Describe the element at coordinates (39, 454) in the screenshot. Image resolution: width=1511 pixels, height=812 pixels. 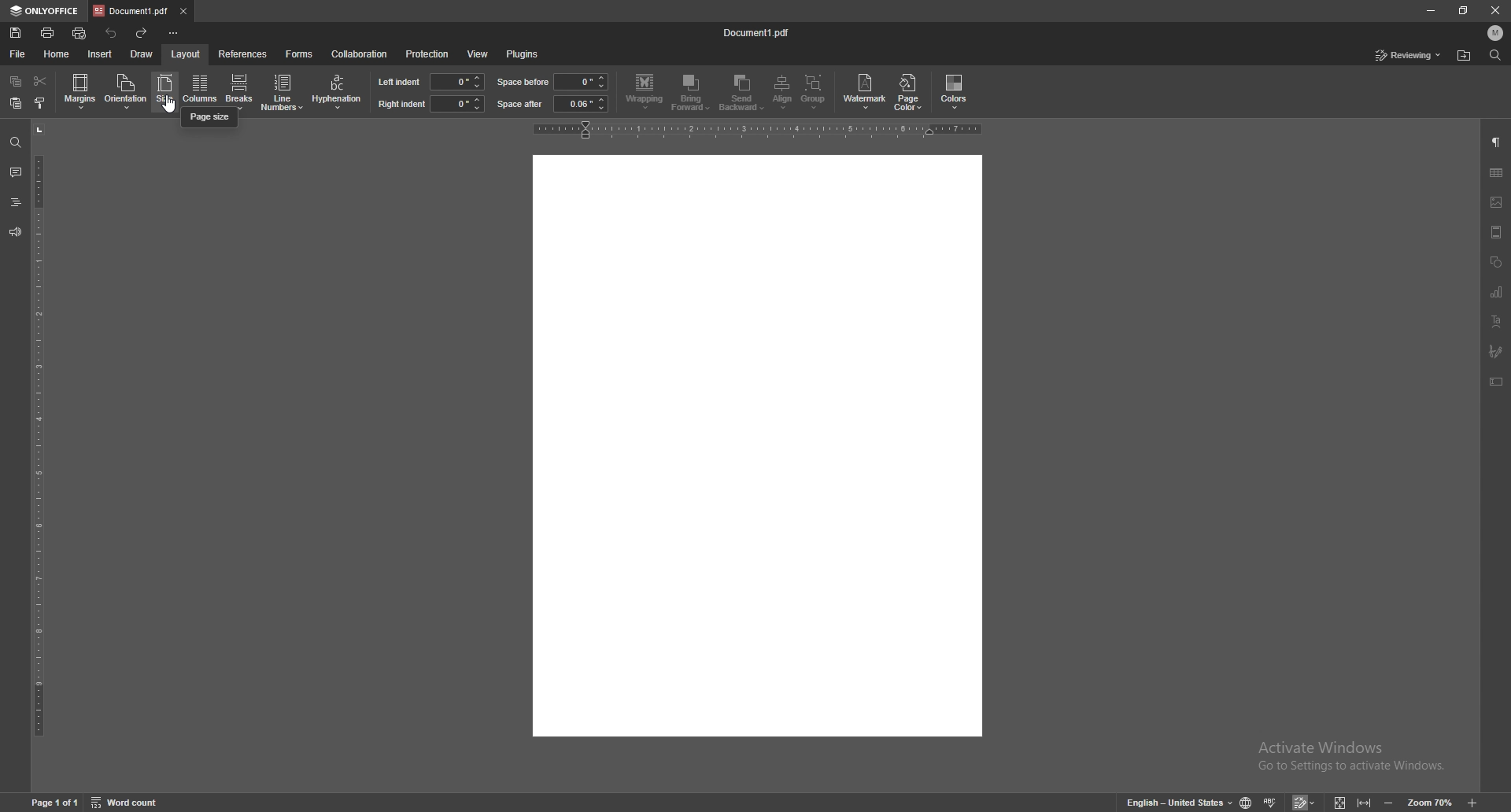
I see `vertical scale` at that location.